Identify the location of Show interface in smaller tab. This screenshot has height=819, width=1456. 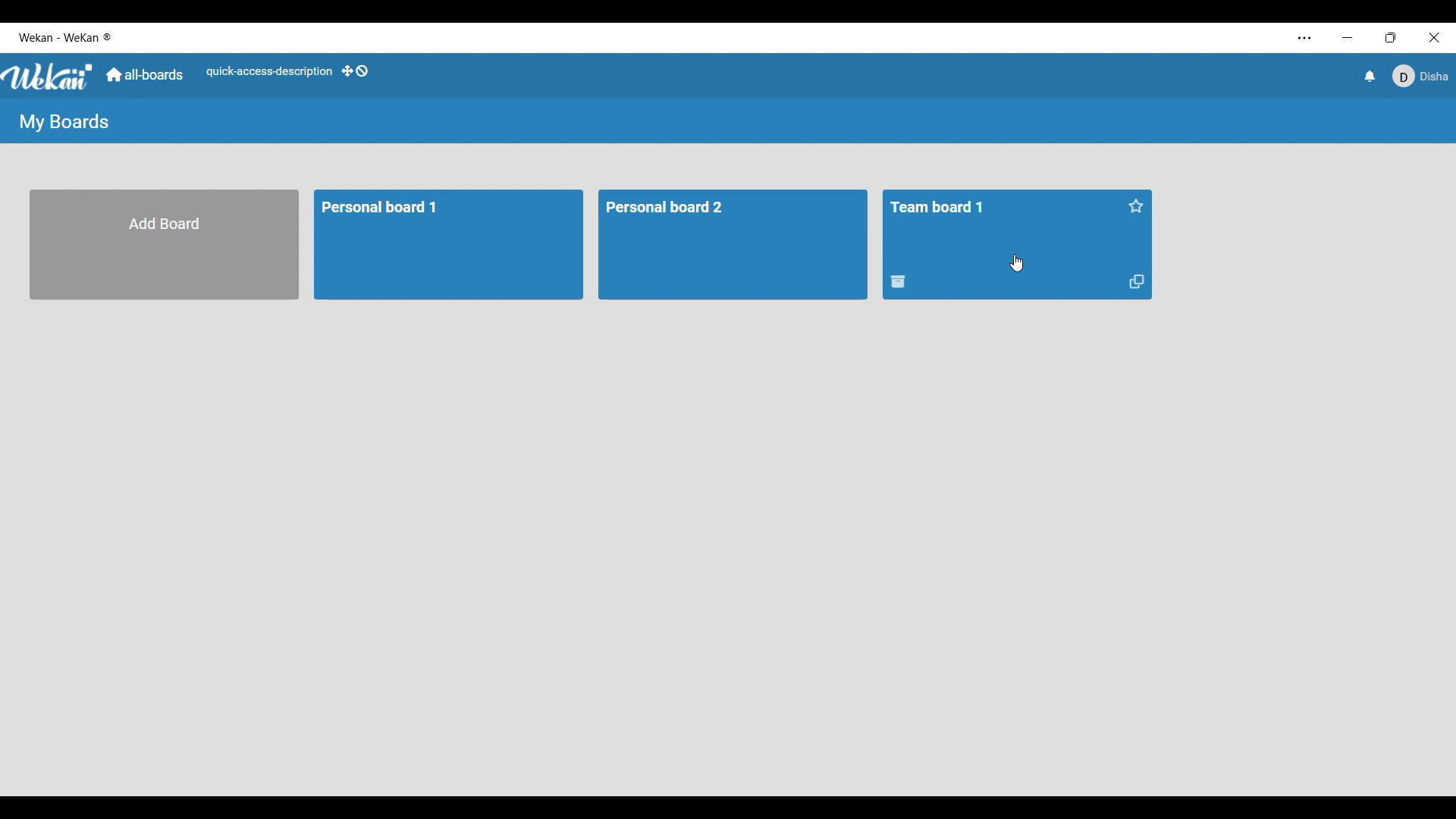
(1391, 38).